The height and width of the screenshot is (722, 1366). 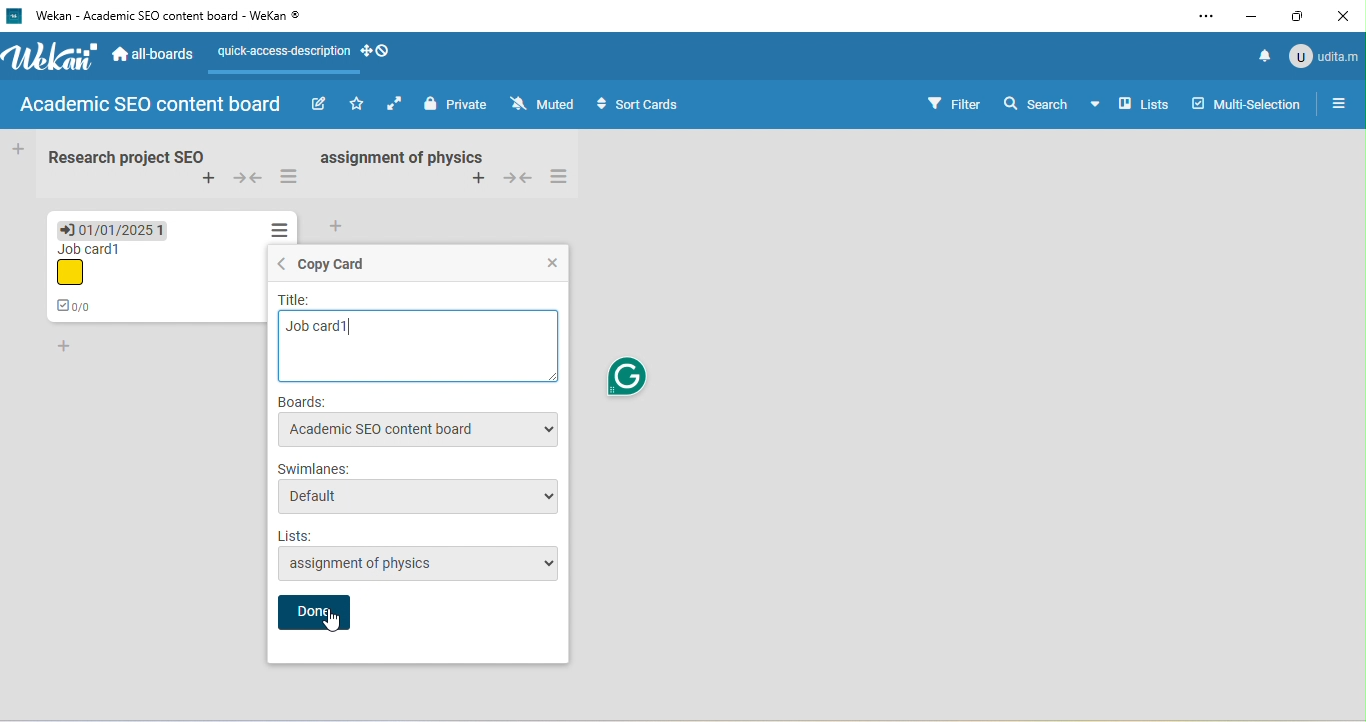 I want to click on private, so click(x=458, y=105).